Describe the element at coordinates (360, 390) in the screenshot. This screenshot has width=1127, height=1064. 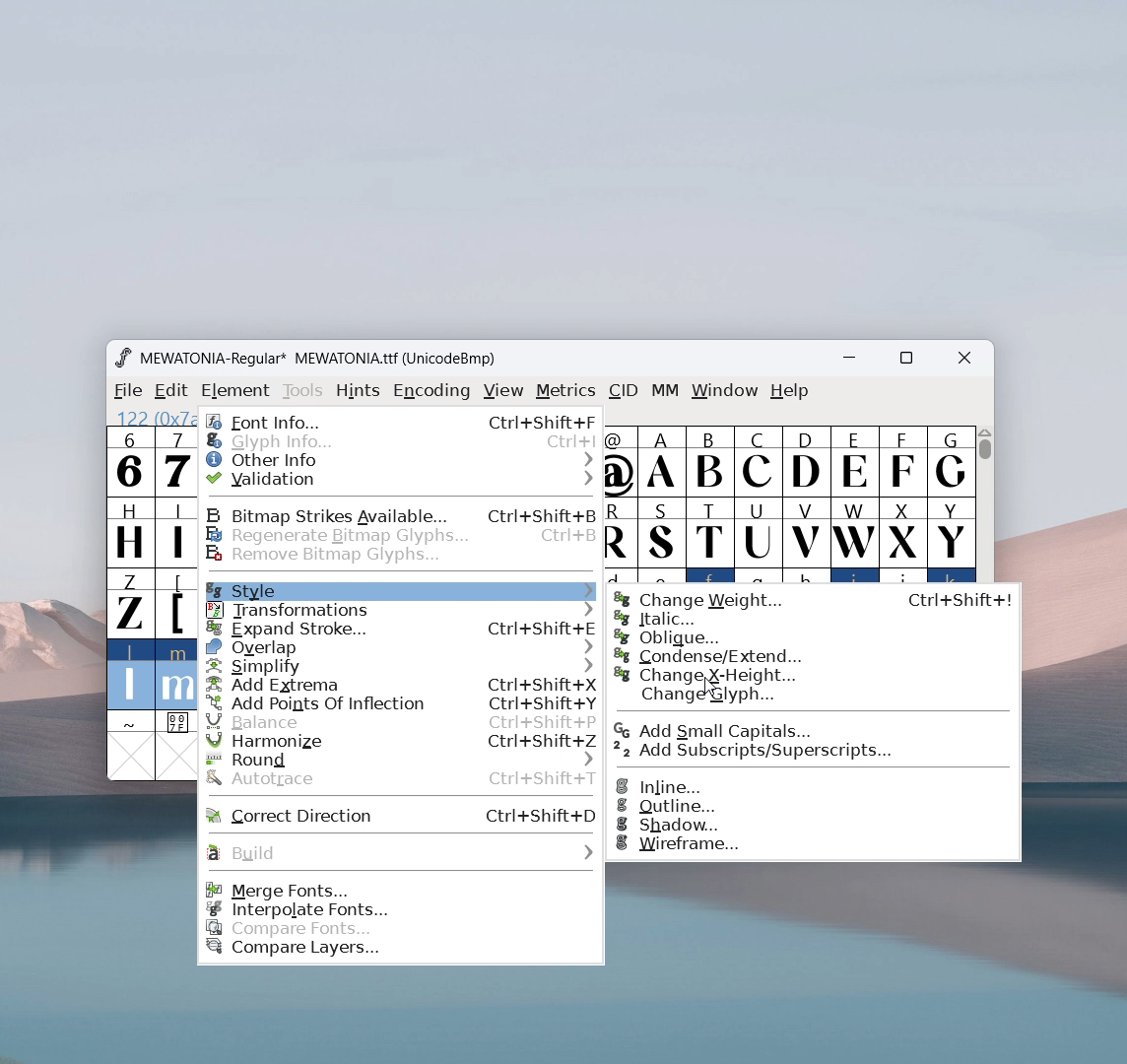
I see `hints` at that location.